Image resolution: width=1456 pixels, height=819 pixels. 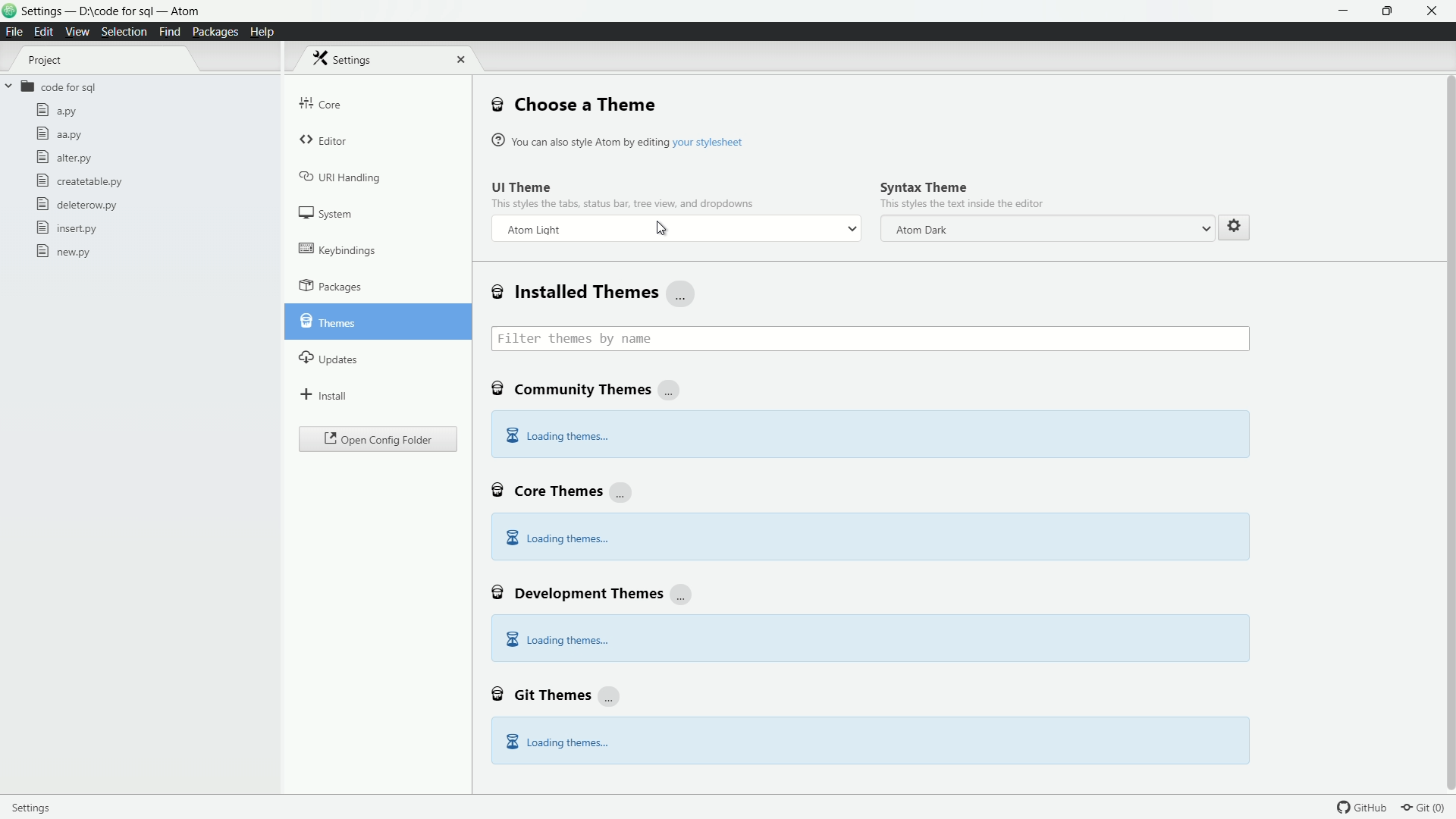 What do you see at coordinates (962, 205) in the screenshot?
I see `this styles the text inside the editor` at bounding box center [962, 205].